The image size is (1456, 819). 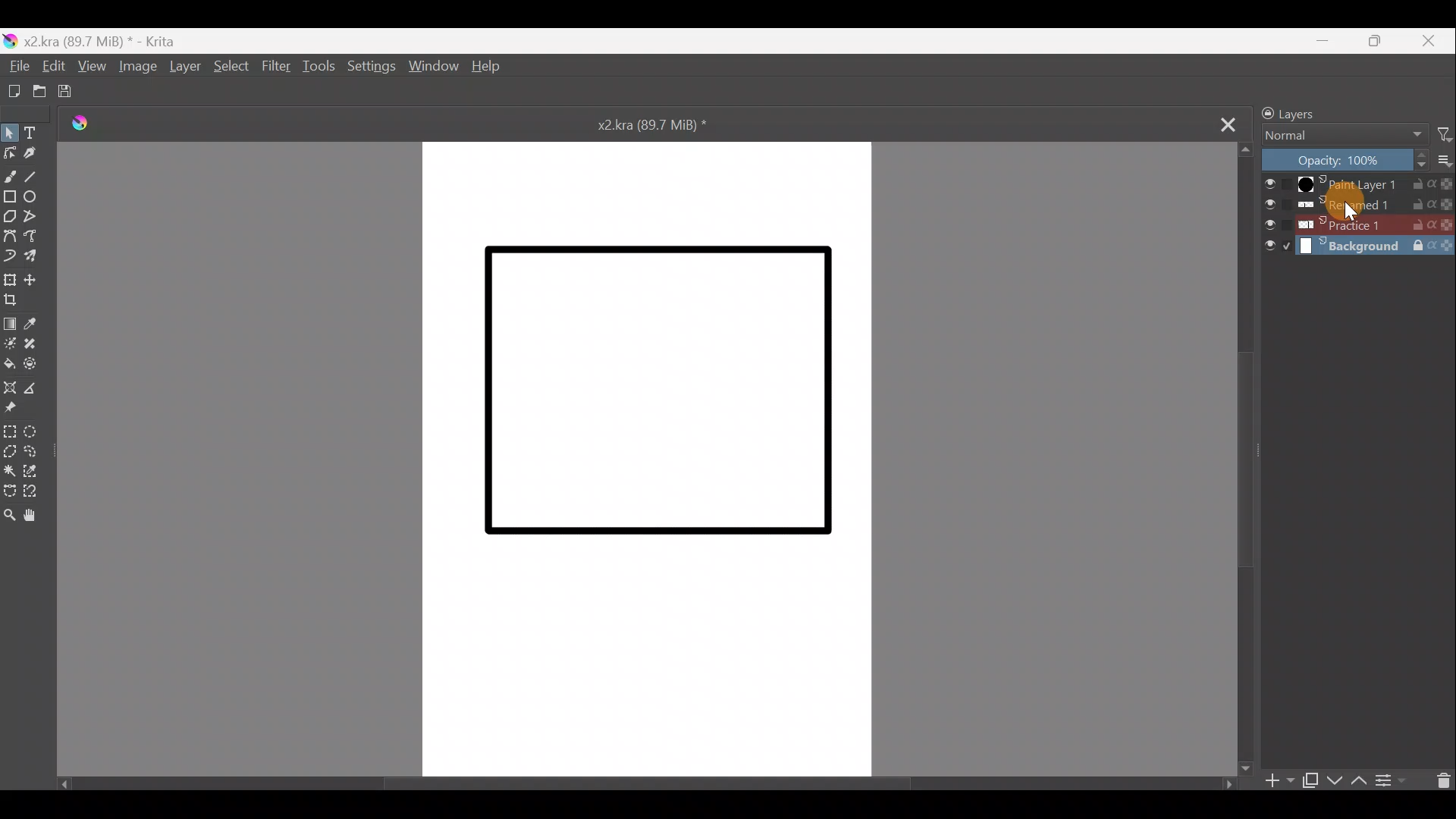 I want to click on Crop image to an area, so click(x=18, y=301).